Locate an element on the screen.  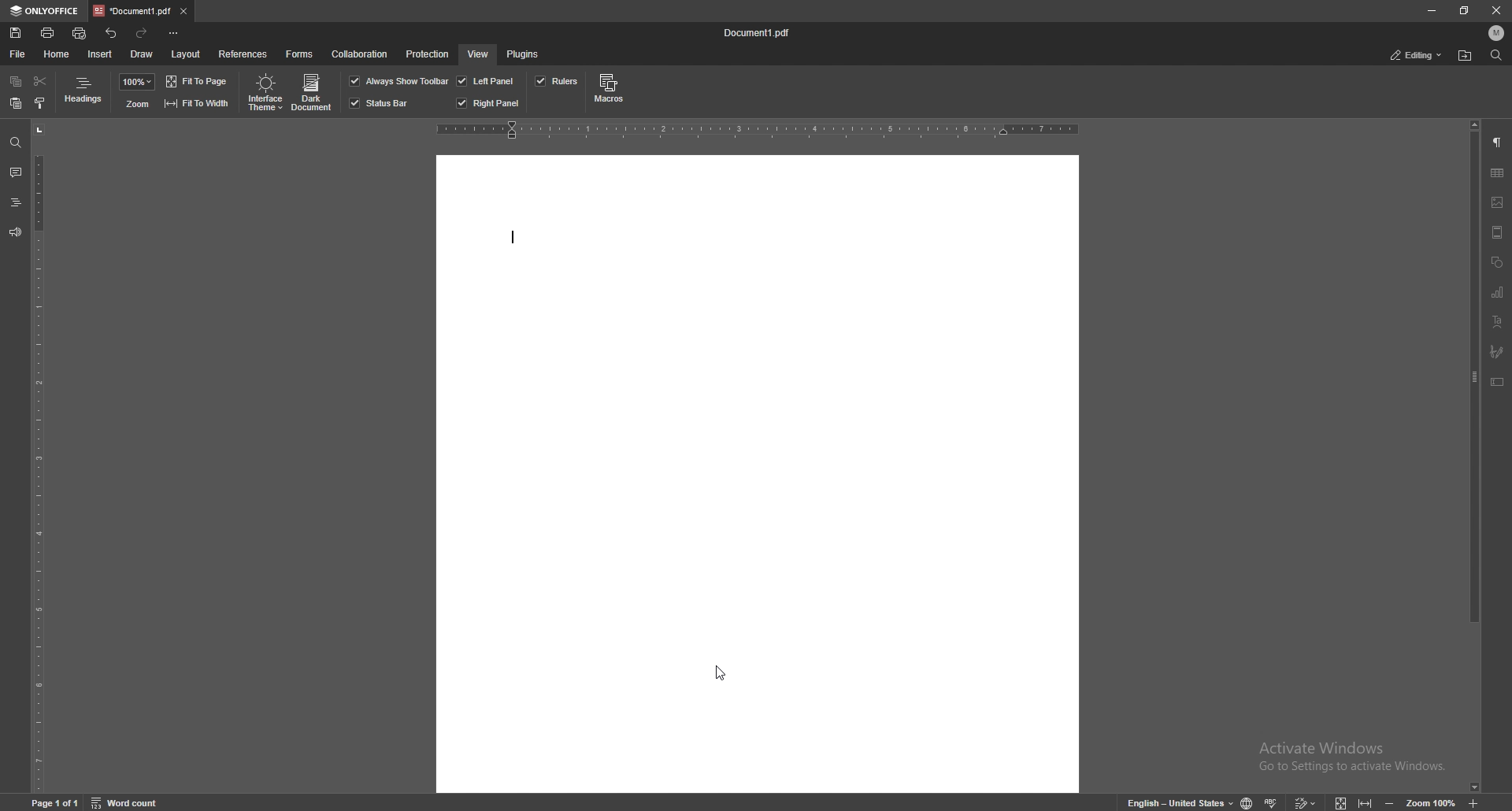
feedback is located at coordinates (15, 232).